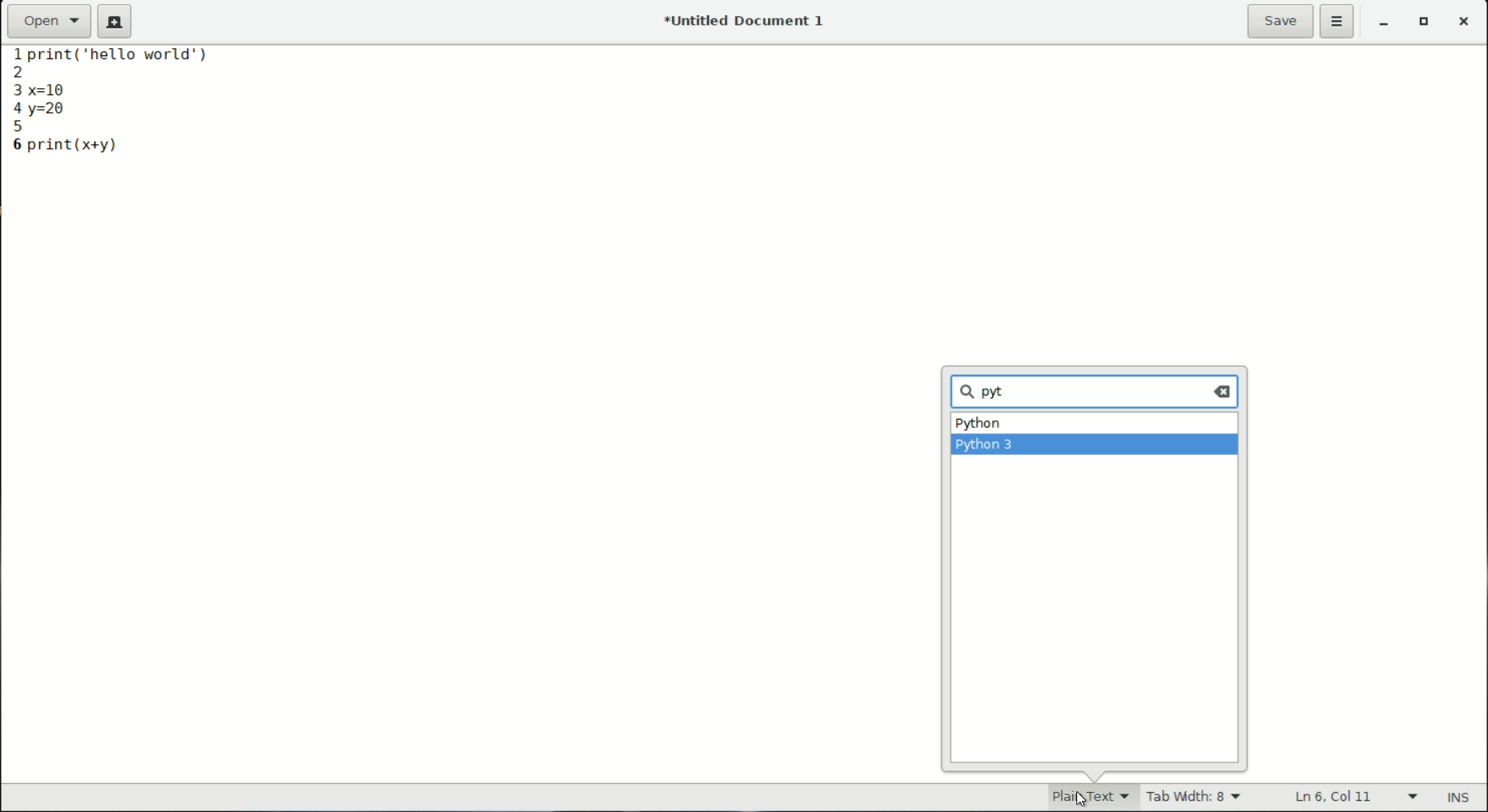 This screenshot has width=1488, height=812. What do you see at coordinates (1080, 796) in the screenshot?
I see `file format` at bounding box center [1080, 796].